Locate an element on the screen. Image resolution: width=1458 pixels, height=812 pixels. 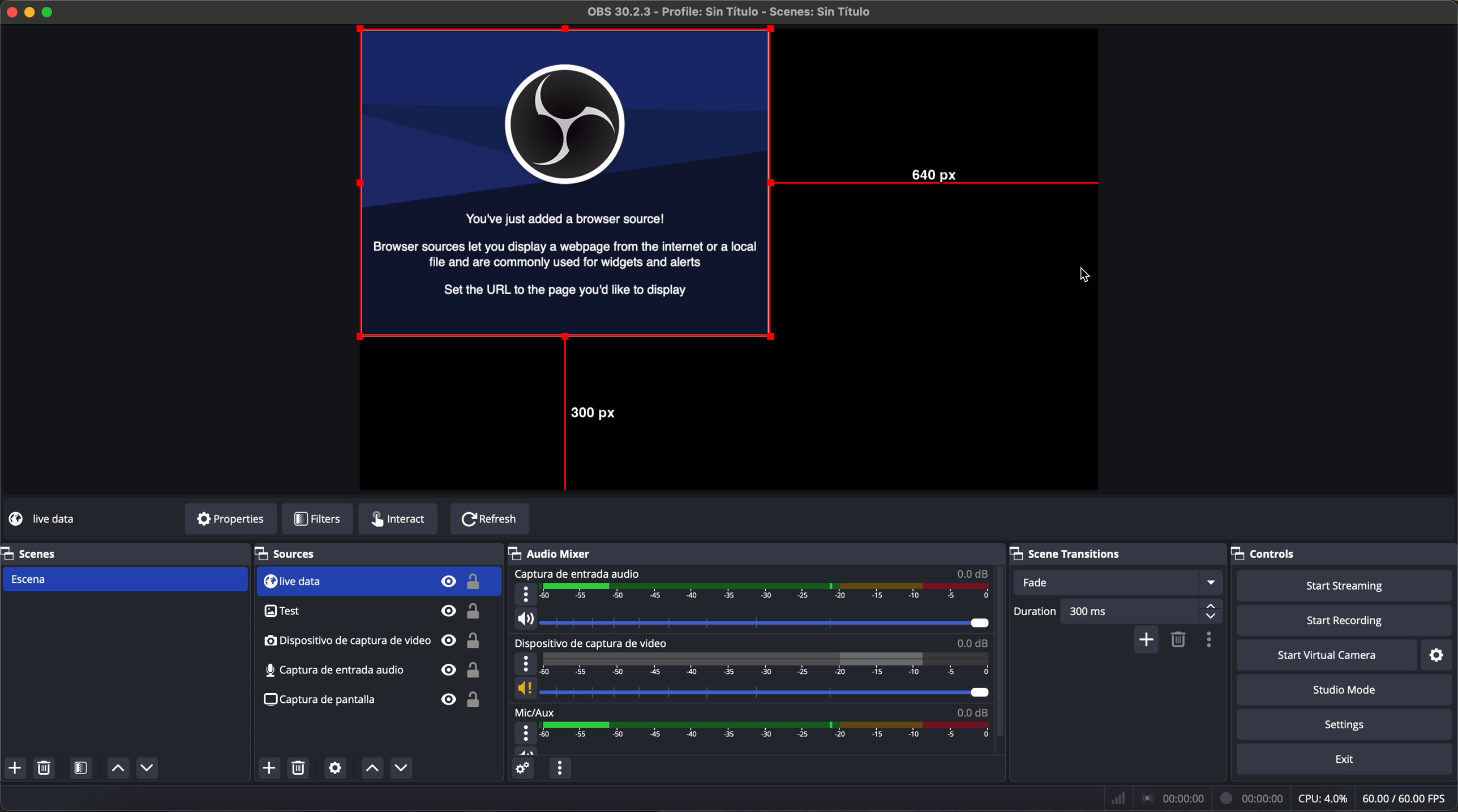
scenes is located at coordinates (40, 554).